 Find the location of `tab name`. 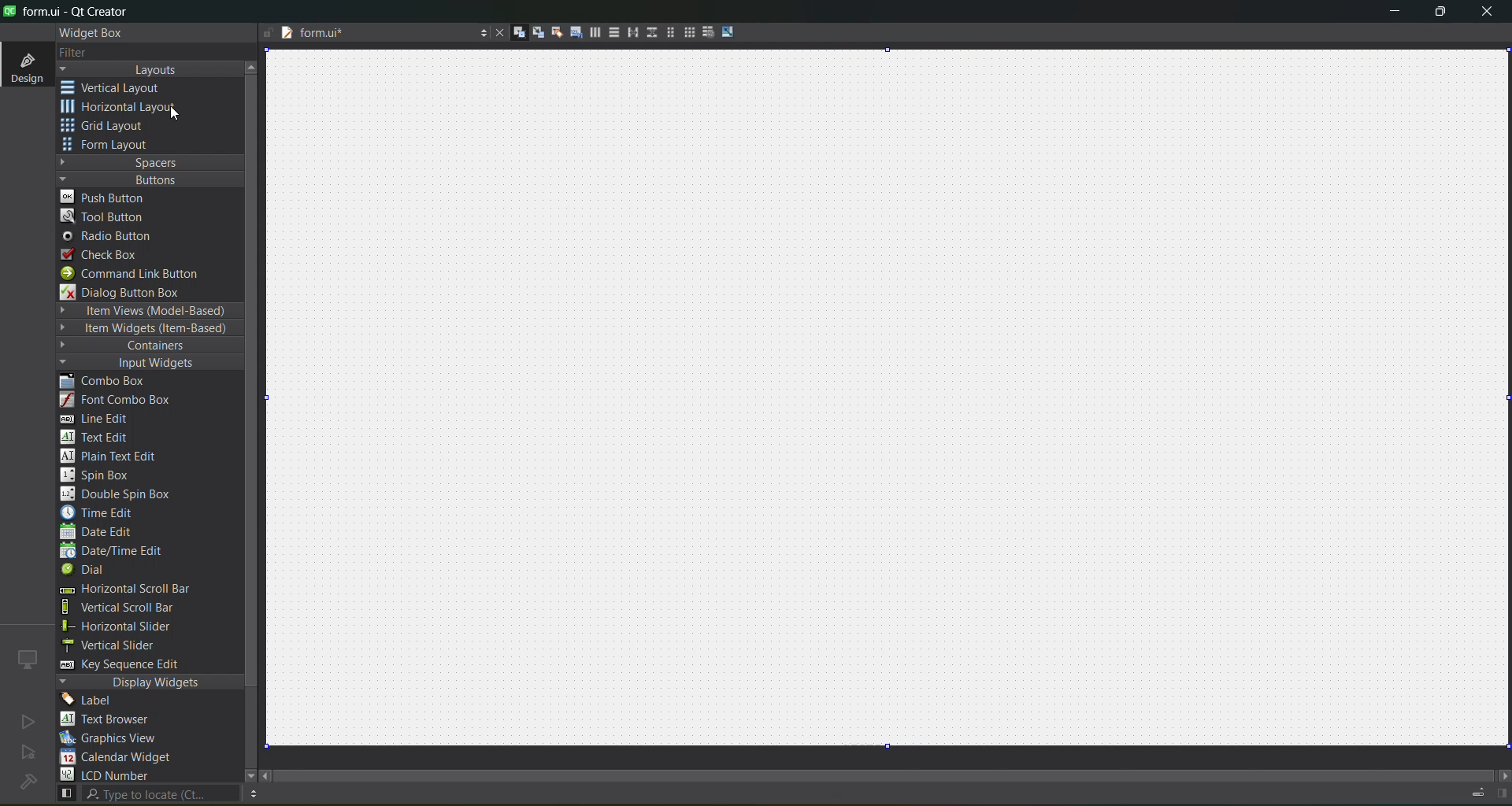

tab name is located at coordinates (373, 34).